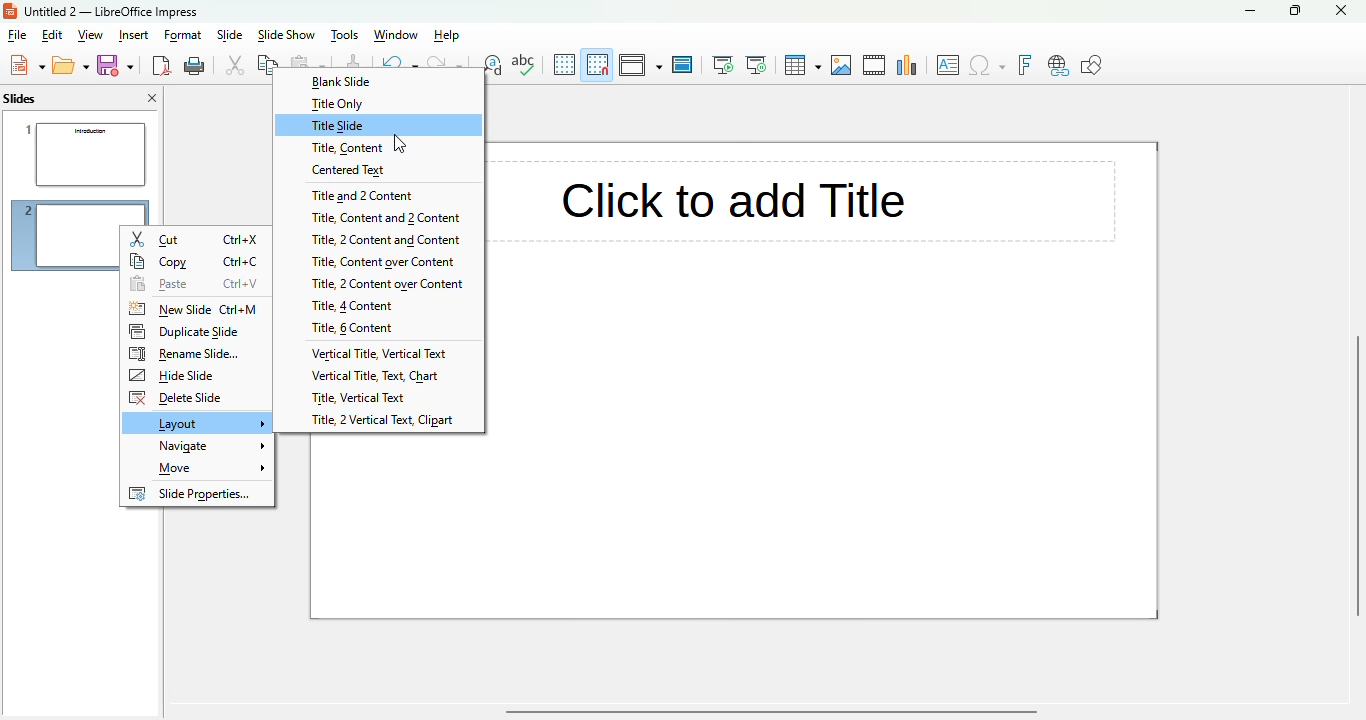  Describe the element at coordinates (286, 35) in the screenshot. I see `slide show` at that location.